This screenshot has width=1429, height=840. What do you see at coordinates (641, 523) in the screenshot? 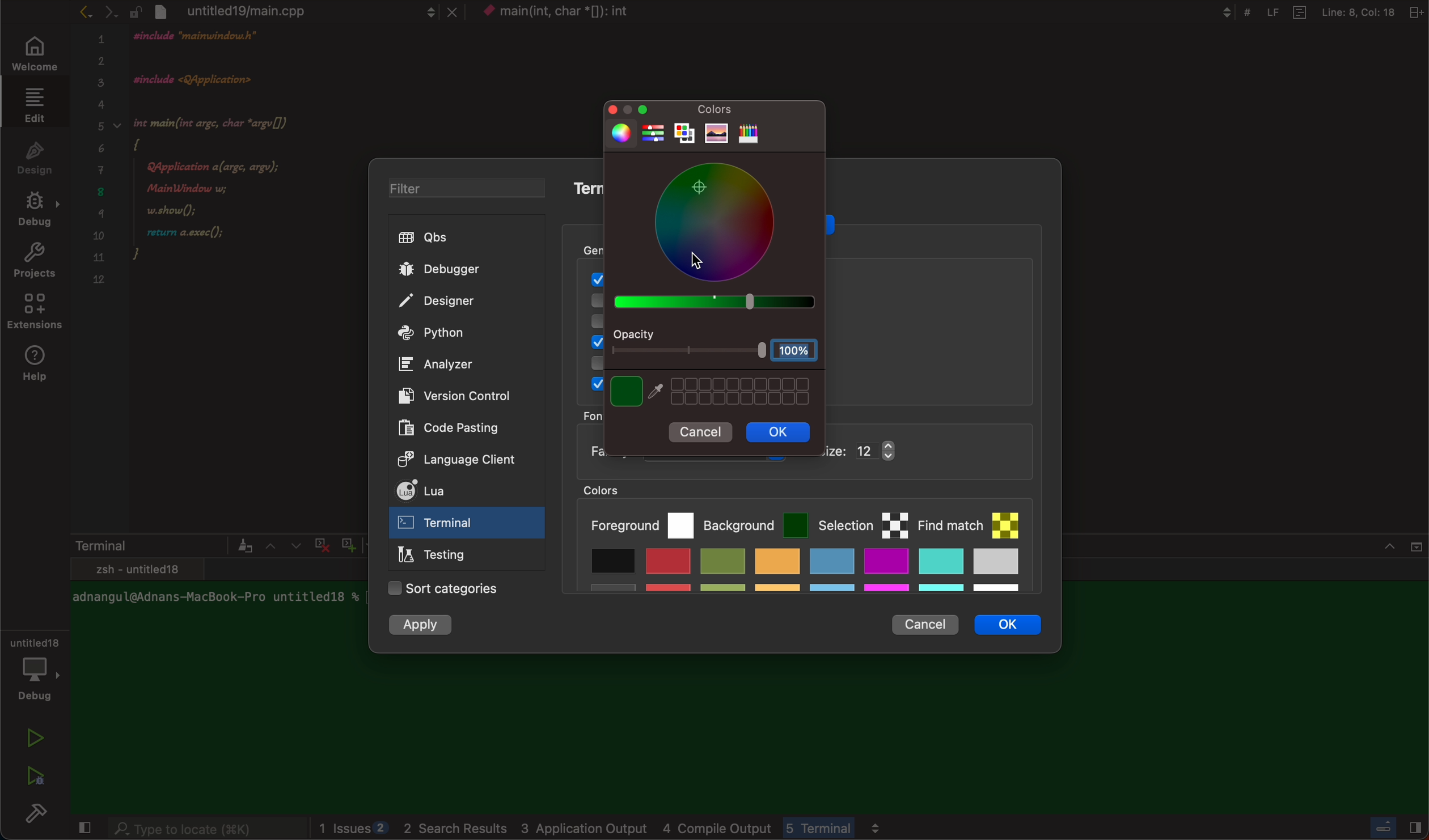
I see `foreground` at bounding box center [641, 523].